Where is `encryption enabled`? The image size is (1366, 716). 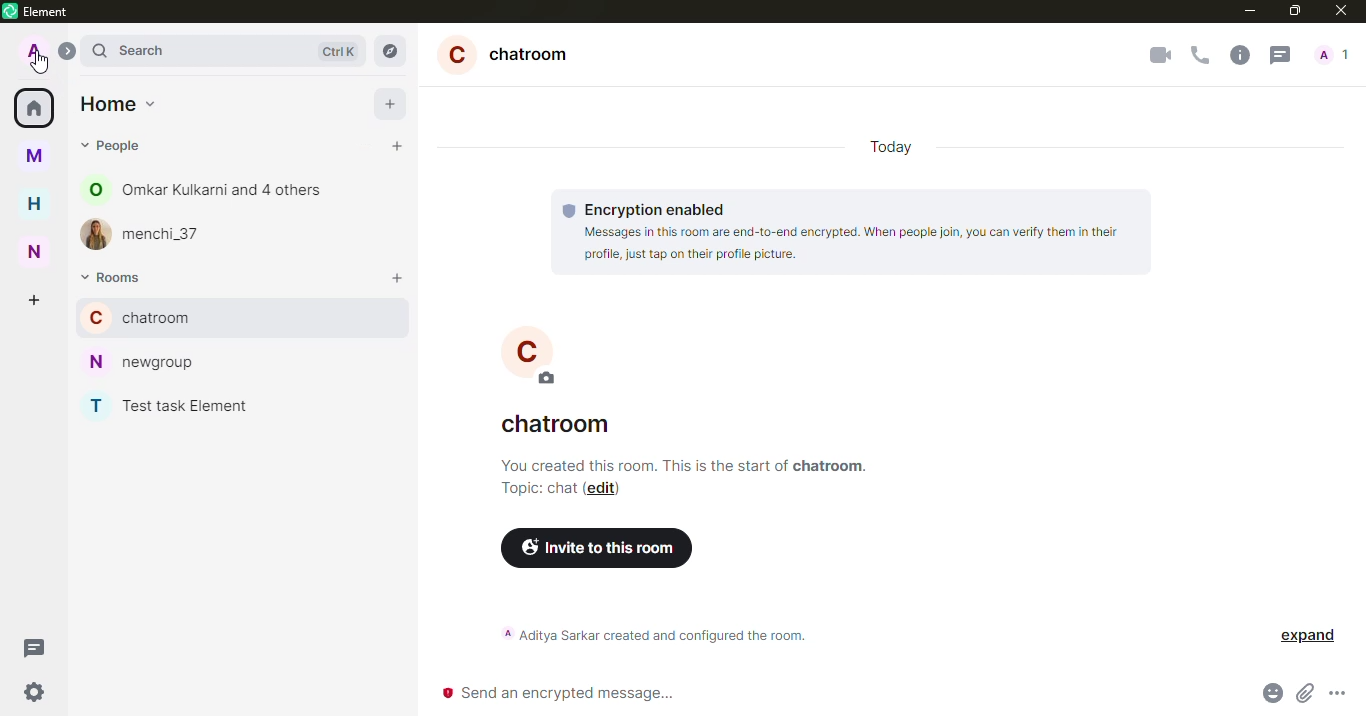
encryption enabled is located at coordinates (647, 209).